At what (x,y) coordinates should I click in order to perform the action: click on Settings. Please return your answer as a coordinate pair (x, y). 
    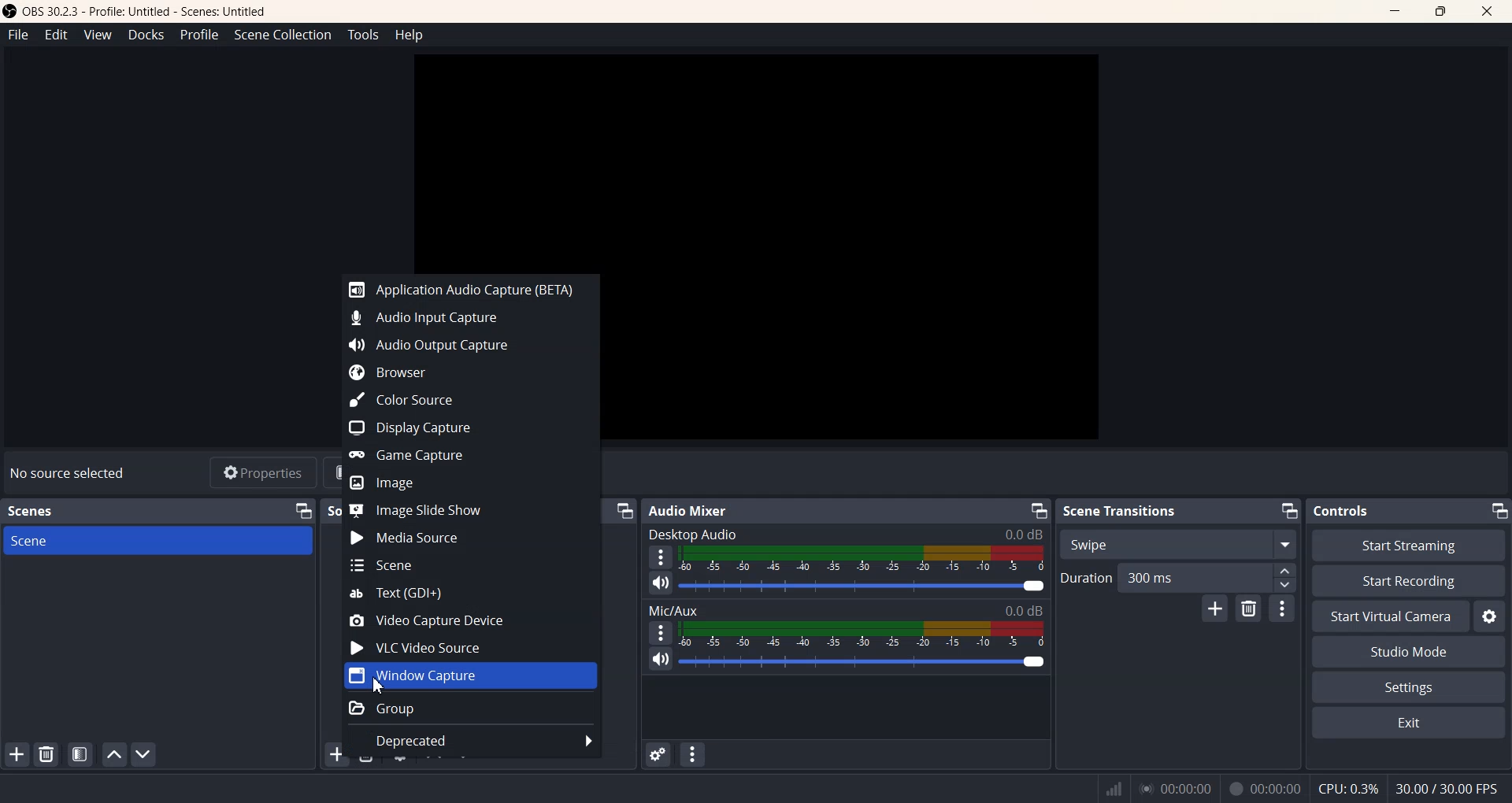
    Looking at the image, I should click on (1408, 688).